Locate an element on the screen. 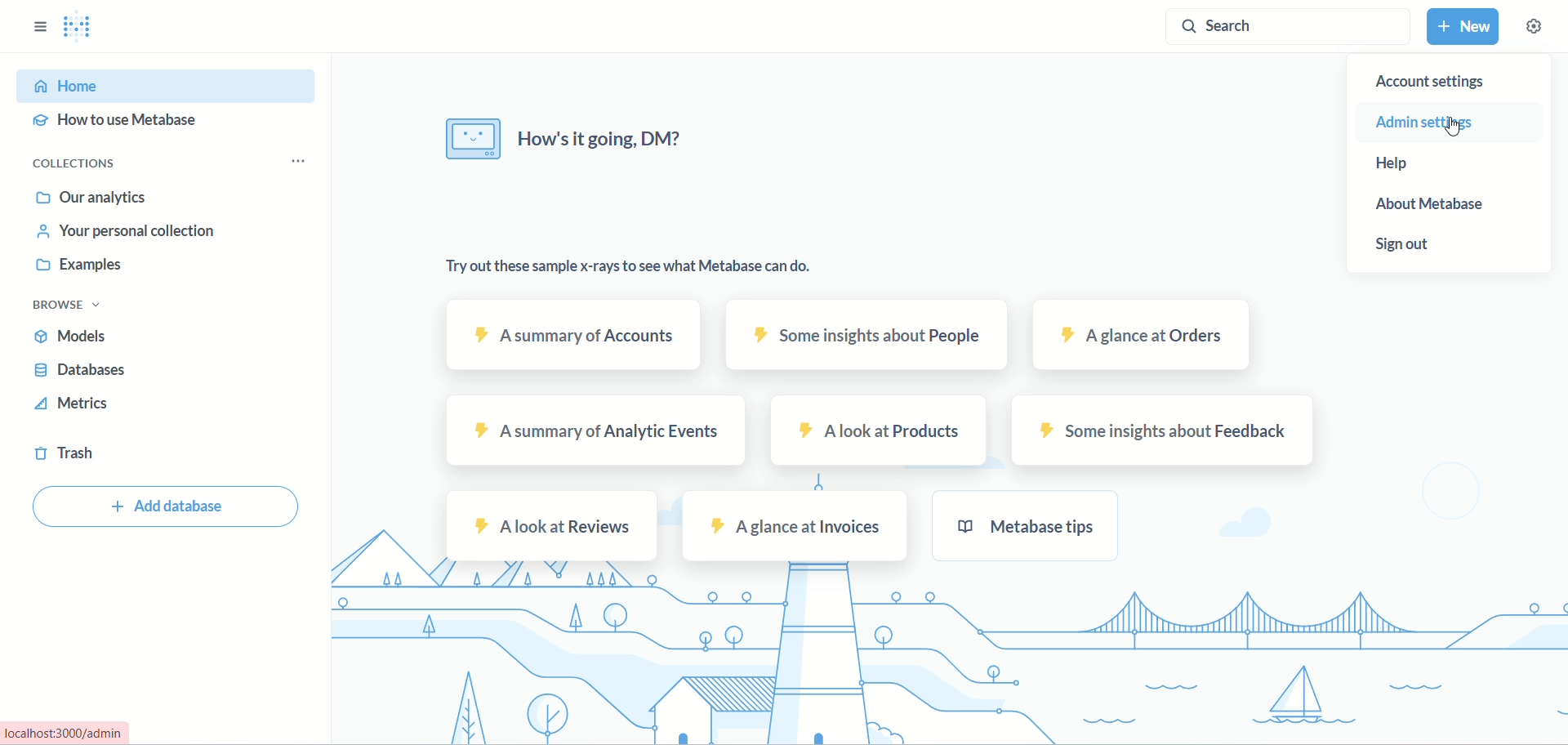 The image size is (1568, 745). feedback is located at coordinates (1165, 429).